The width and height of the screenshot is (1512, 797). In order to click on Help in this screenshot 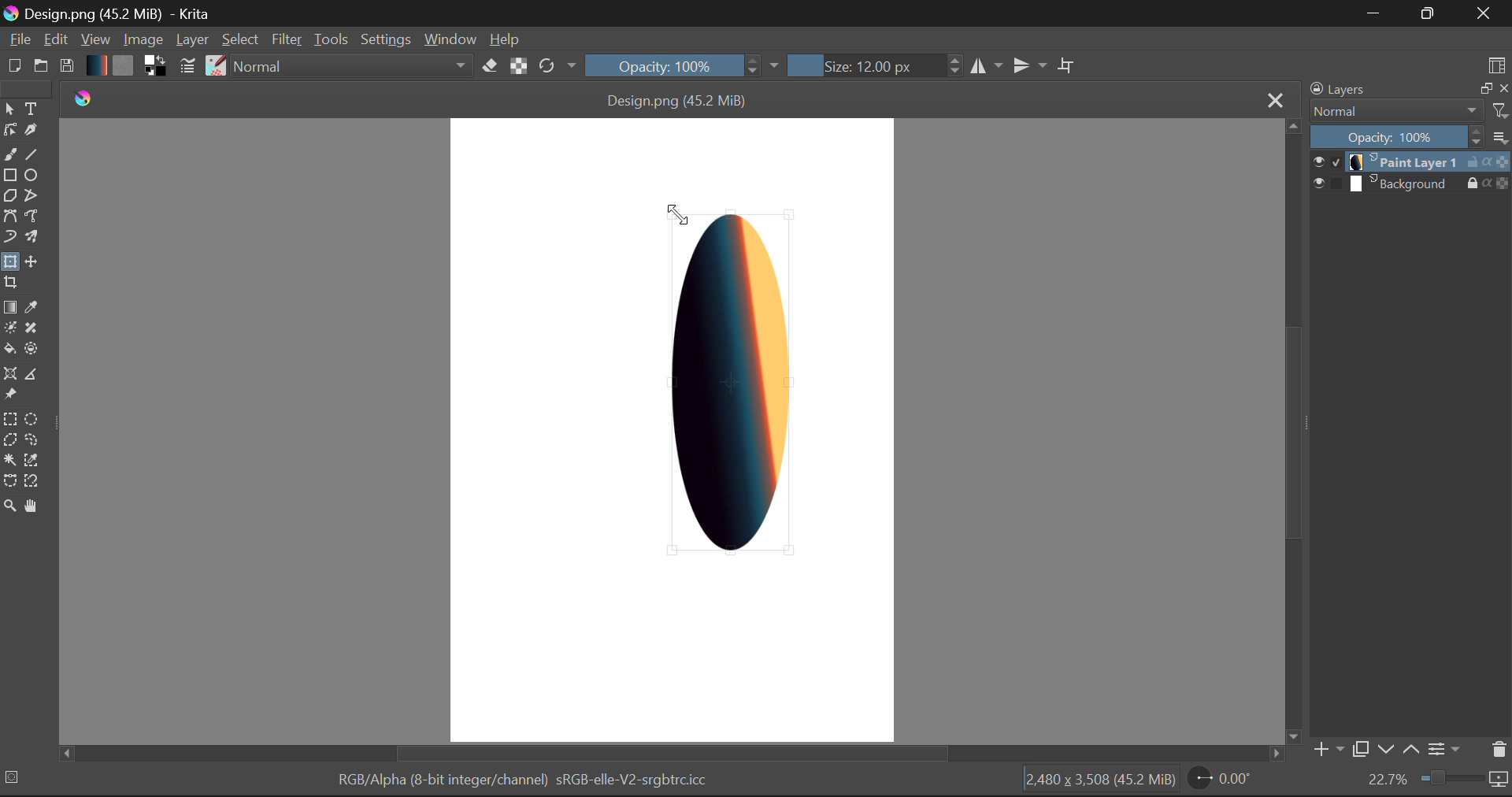, I will do `click(505, 38)`.